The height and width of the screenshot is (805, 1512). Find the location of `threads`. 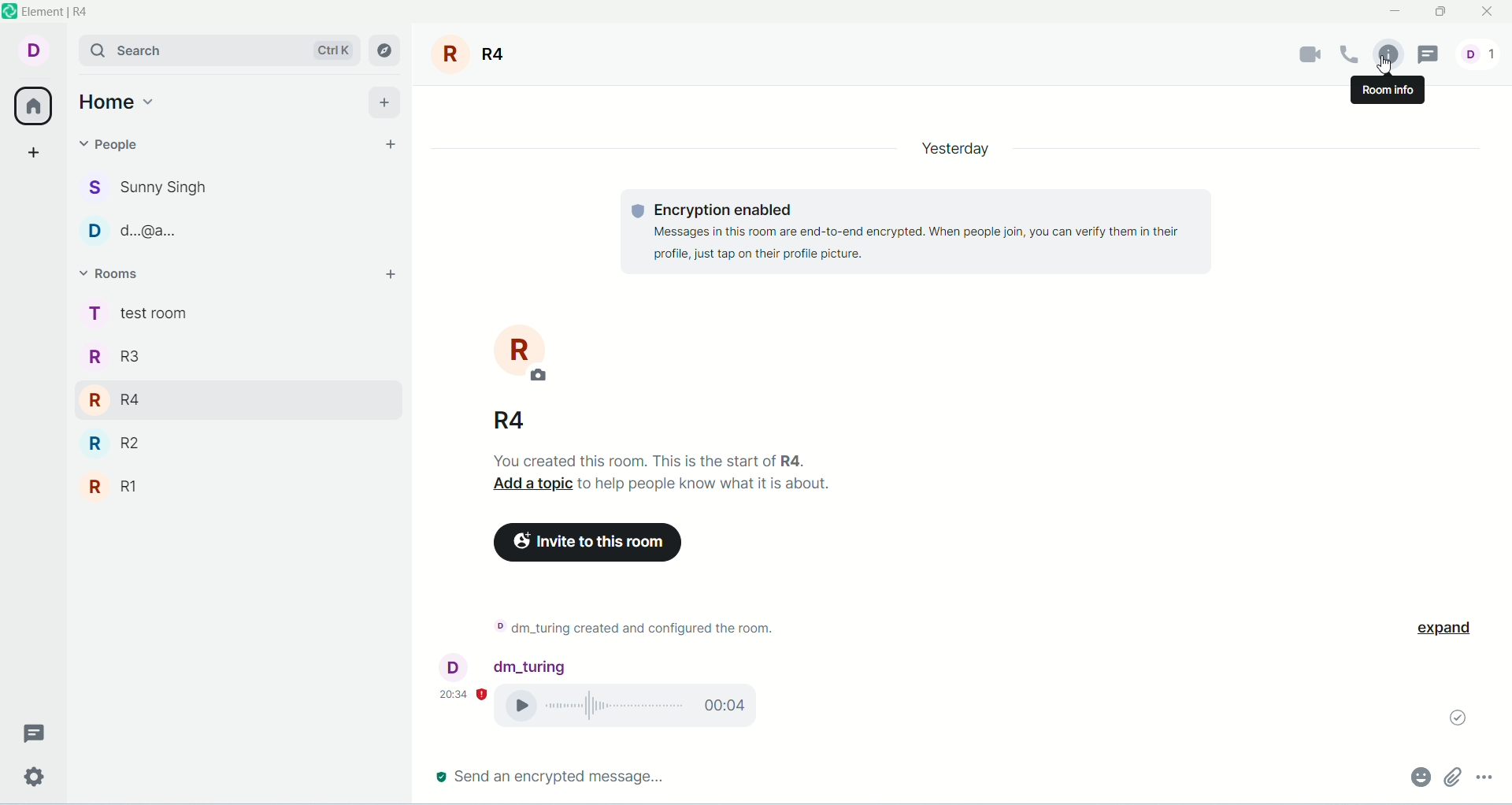

threads is located at coordinates (1428, 55).